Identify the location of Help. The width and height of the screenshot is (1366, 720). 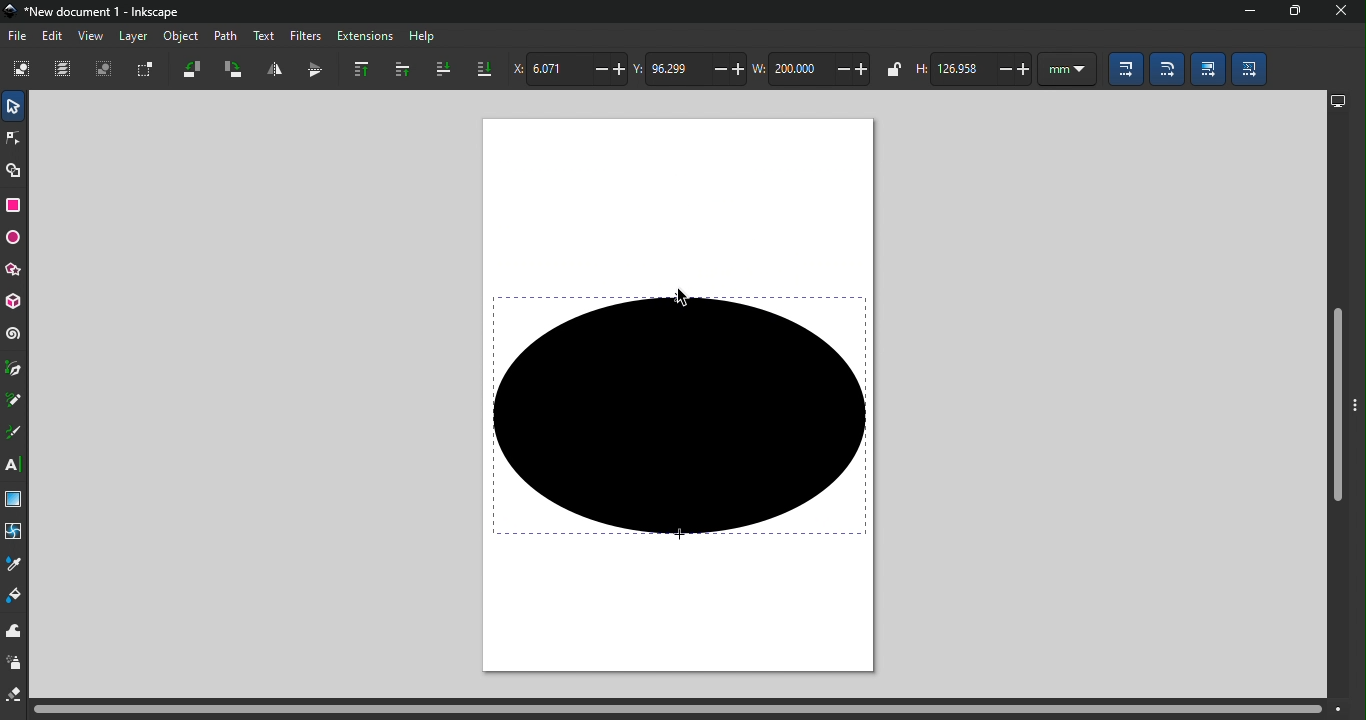
(420, 34).